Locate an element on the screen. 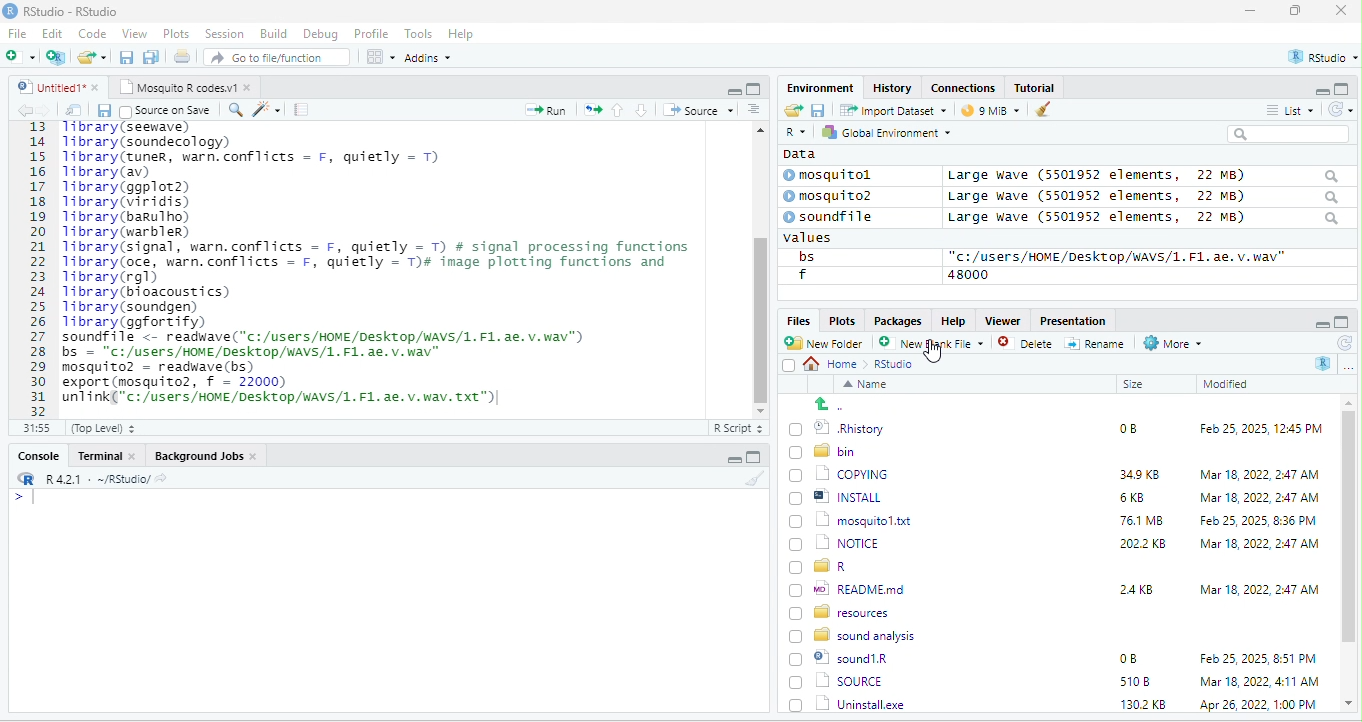 This screenshot has width=1362, height=722. © mosquitol is located at coordinates (842, 175).